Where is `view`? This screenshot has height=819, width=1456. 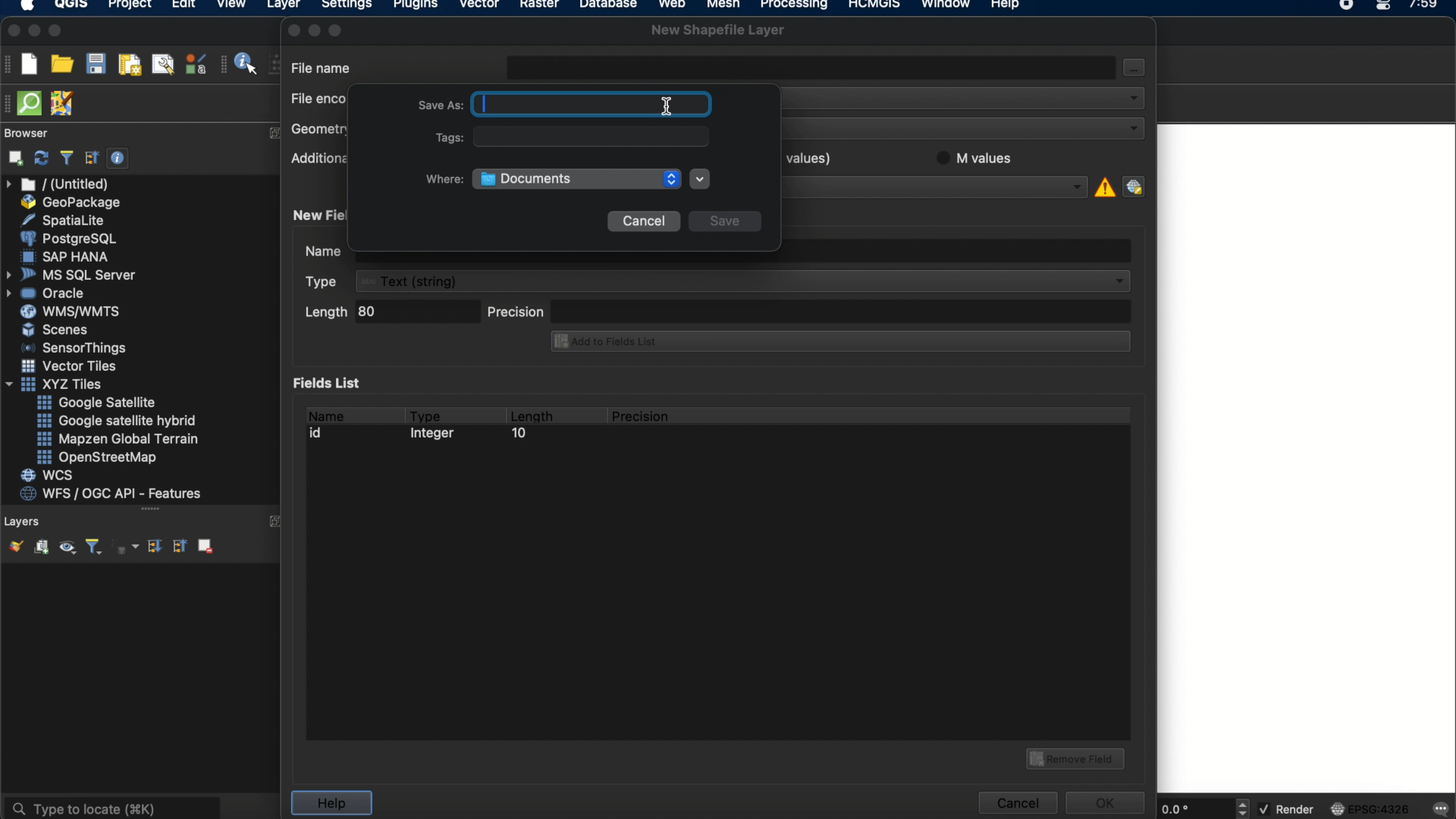 view is located at coordinates (231, 6).